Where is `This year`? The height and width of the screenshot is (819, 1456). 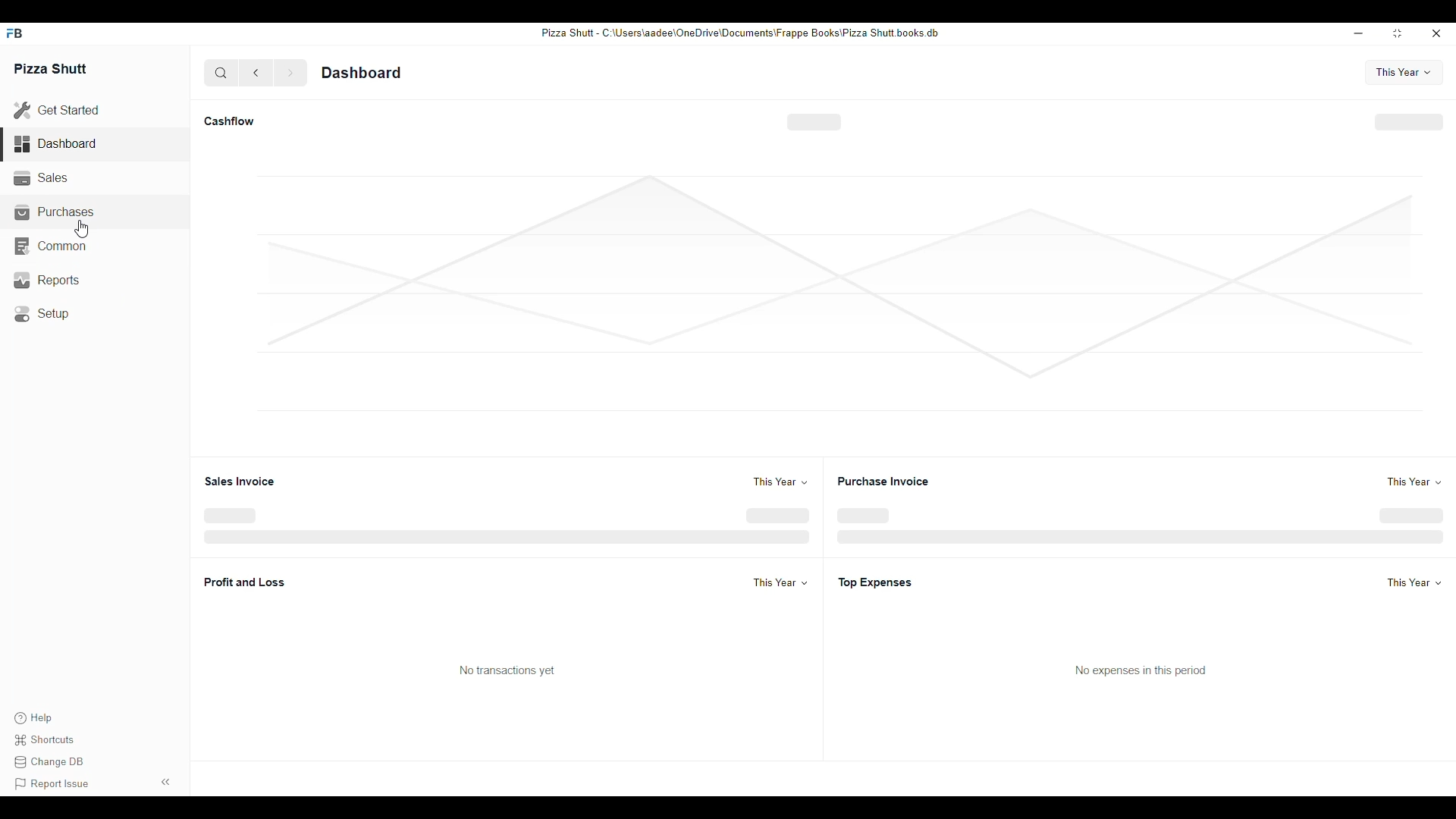 This year is located at coordinates (783, 482).